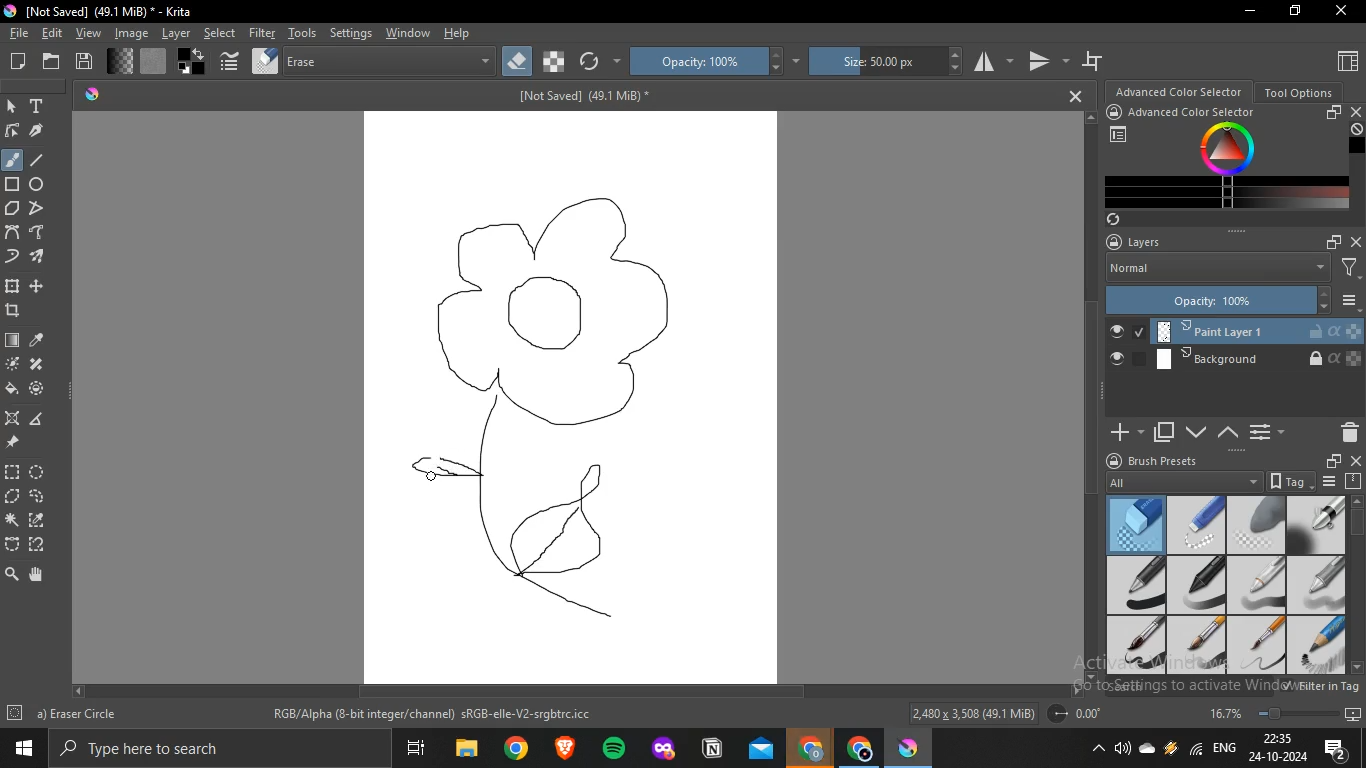 This screenshot has width=1366, height=768. I want to click on basic 5 size, so click(1138, 644).